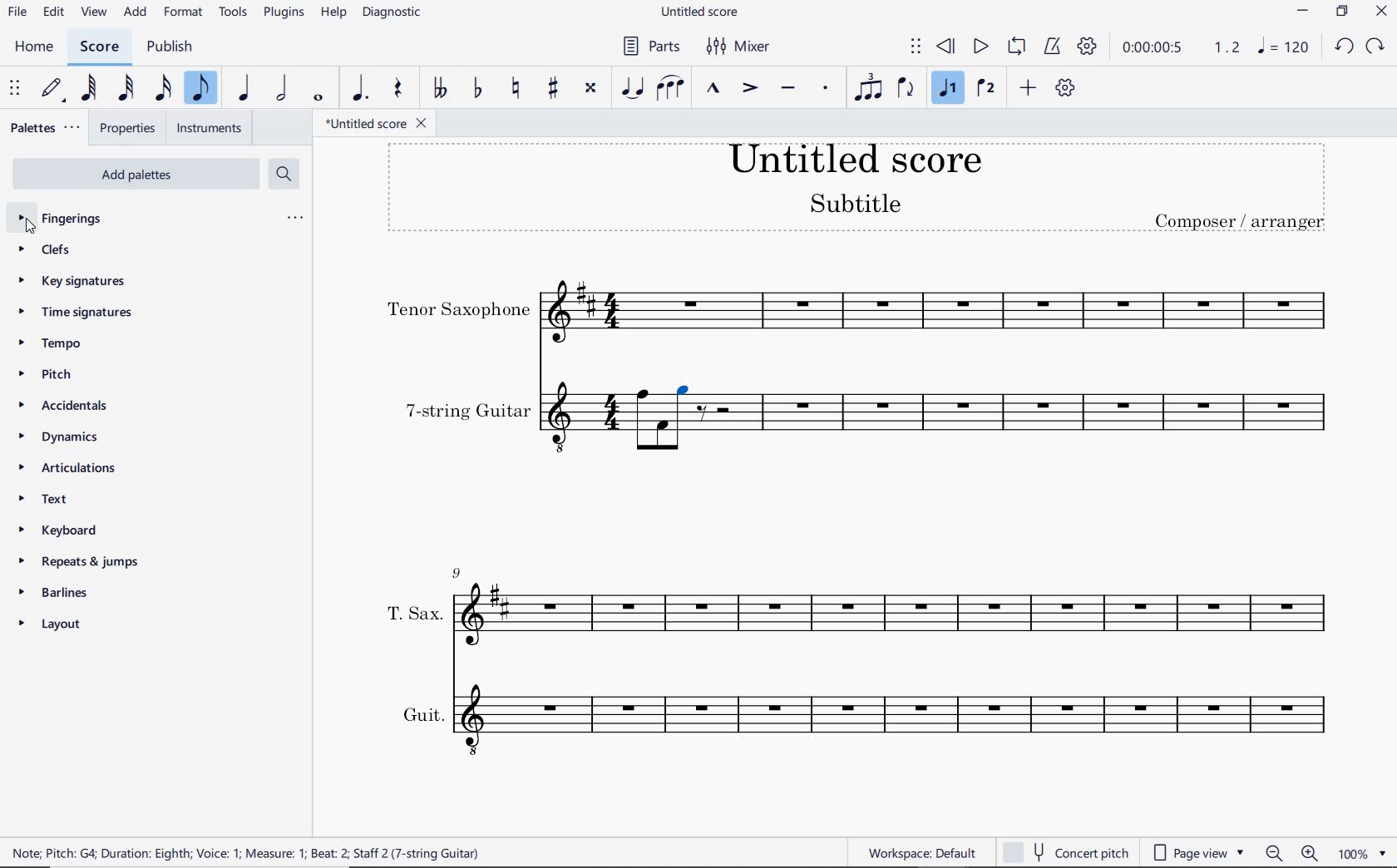 This screenshot has width=1397, height=868. Describe the element at coordinates (317, 99) in the screenshot. I see `WHOLE NOTE` at that location.